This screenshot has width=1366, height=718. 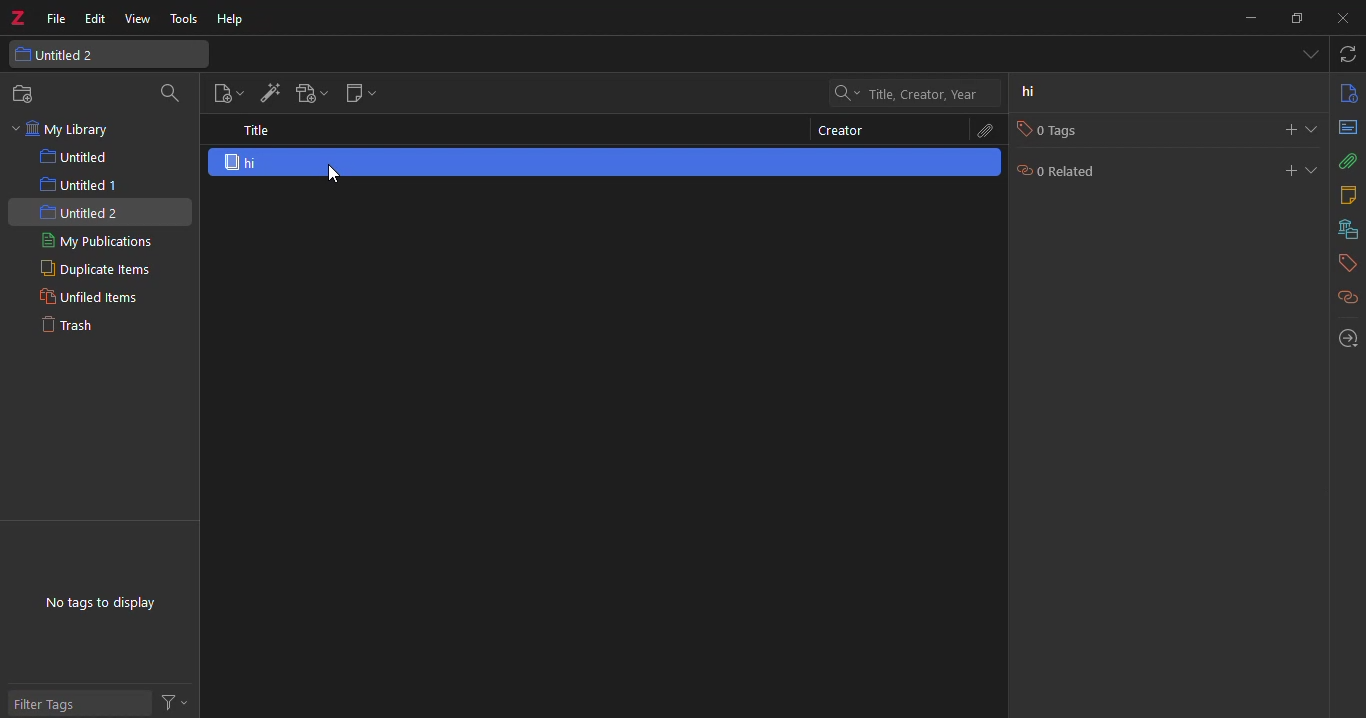 I want to click on new note, so click(x=358, y=93).